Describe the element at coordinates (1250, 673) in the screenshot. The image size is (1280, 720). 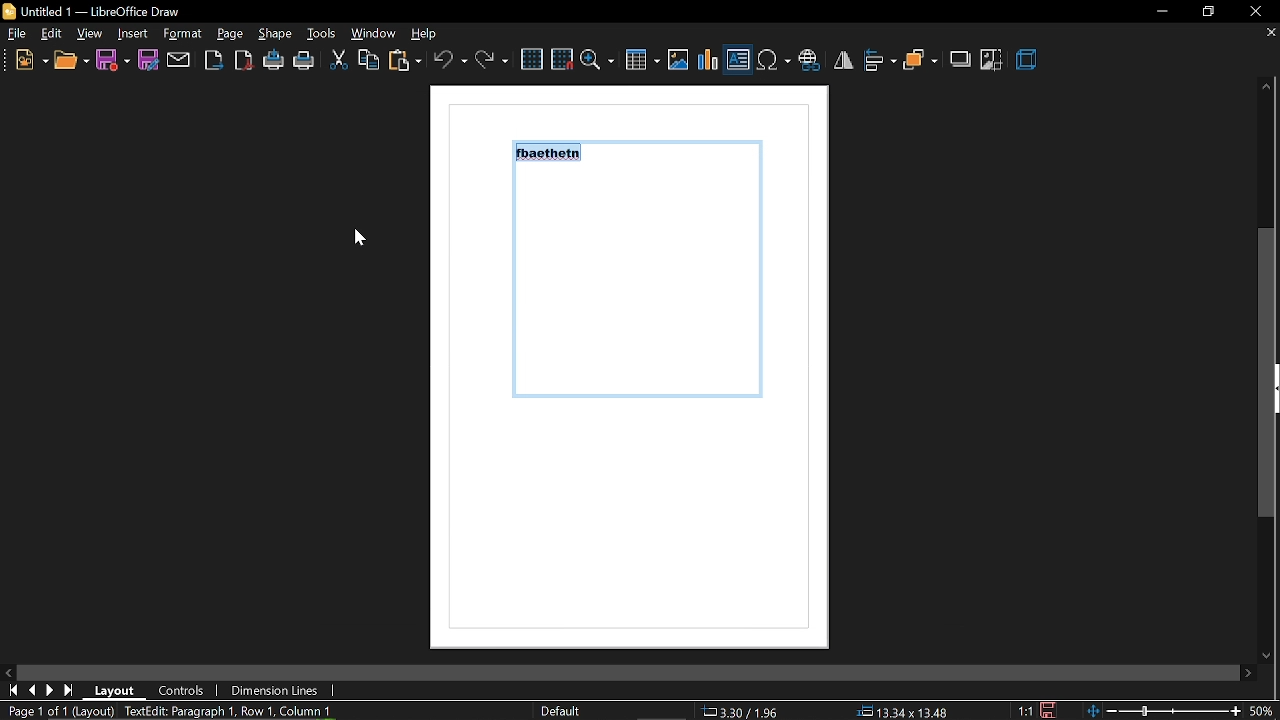
I see `move right` at that location.